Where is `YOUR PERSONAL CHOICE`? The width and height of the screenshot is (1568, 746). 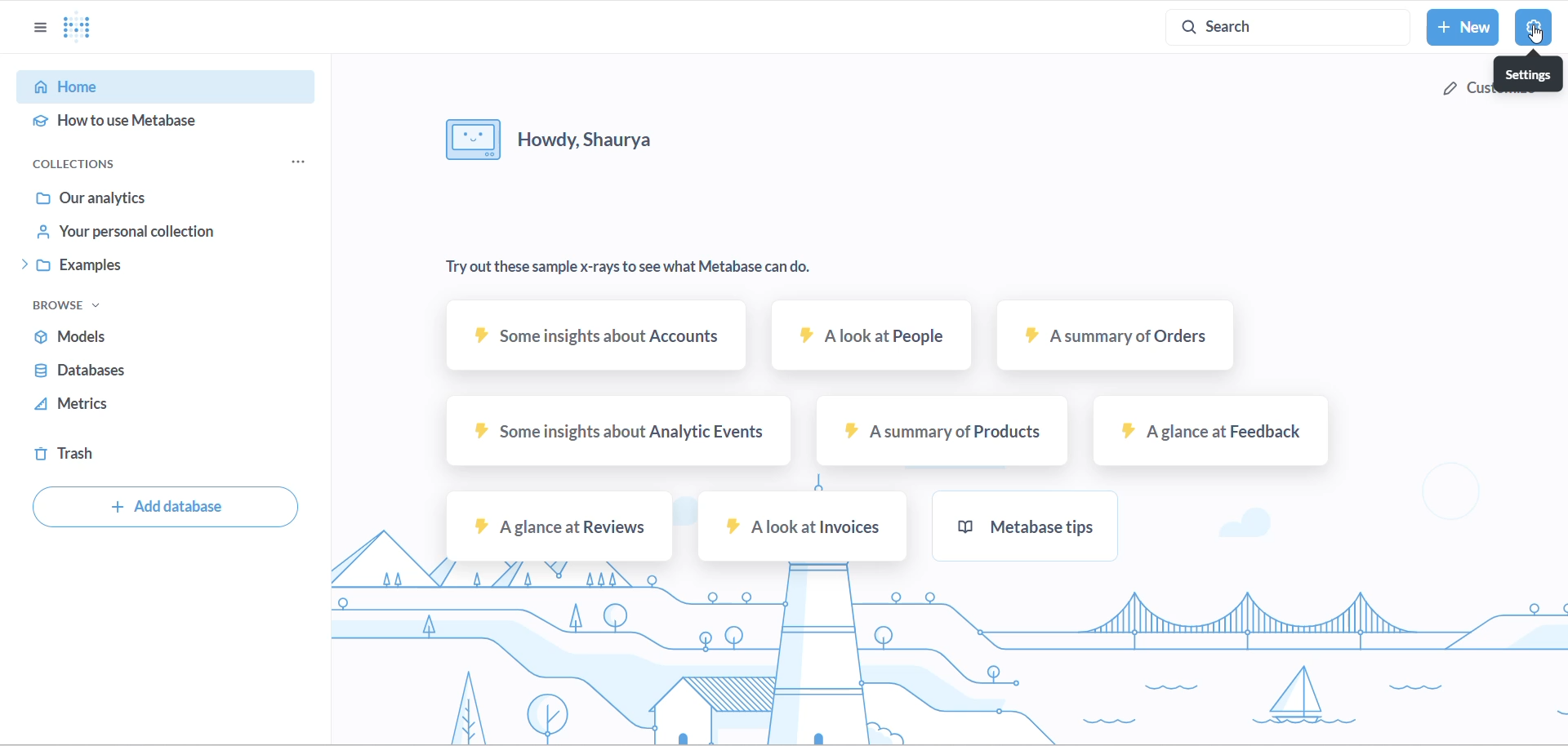
YOUR PERSONAL CHOICE is located at coordinates (129, 234).